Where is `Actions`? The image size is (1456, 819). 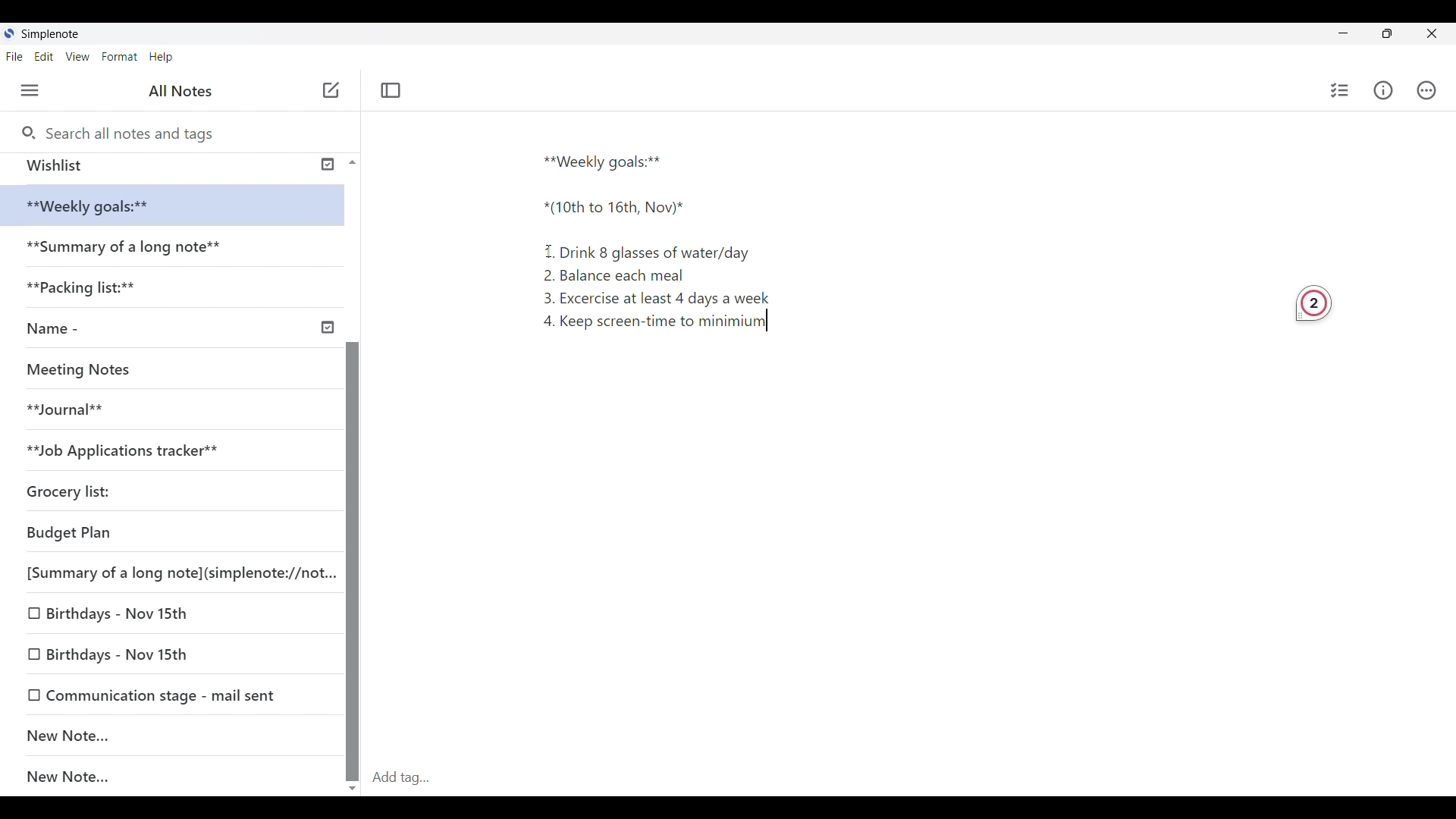
Actions is located at coordinates (1433, 90).